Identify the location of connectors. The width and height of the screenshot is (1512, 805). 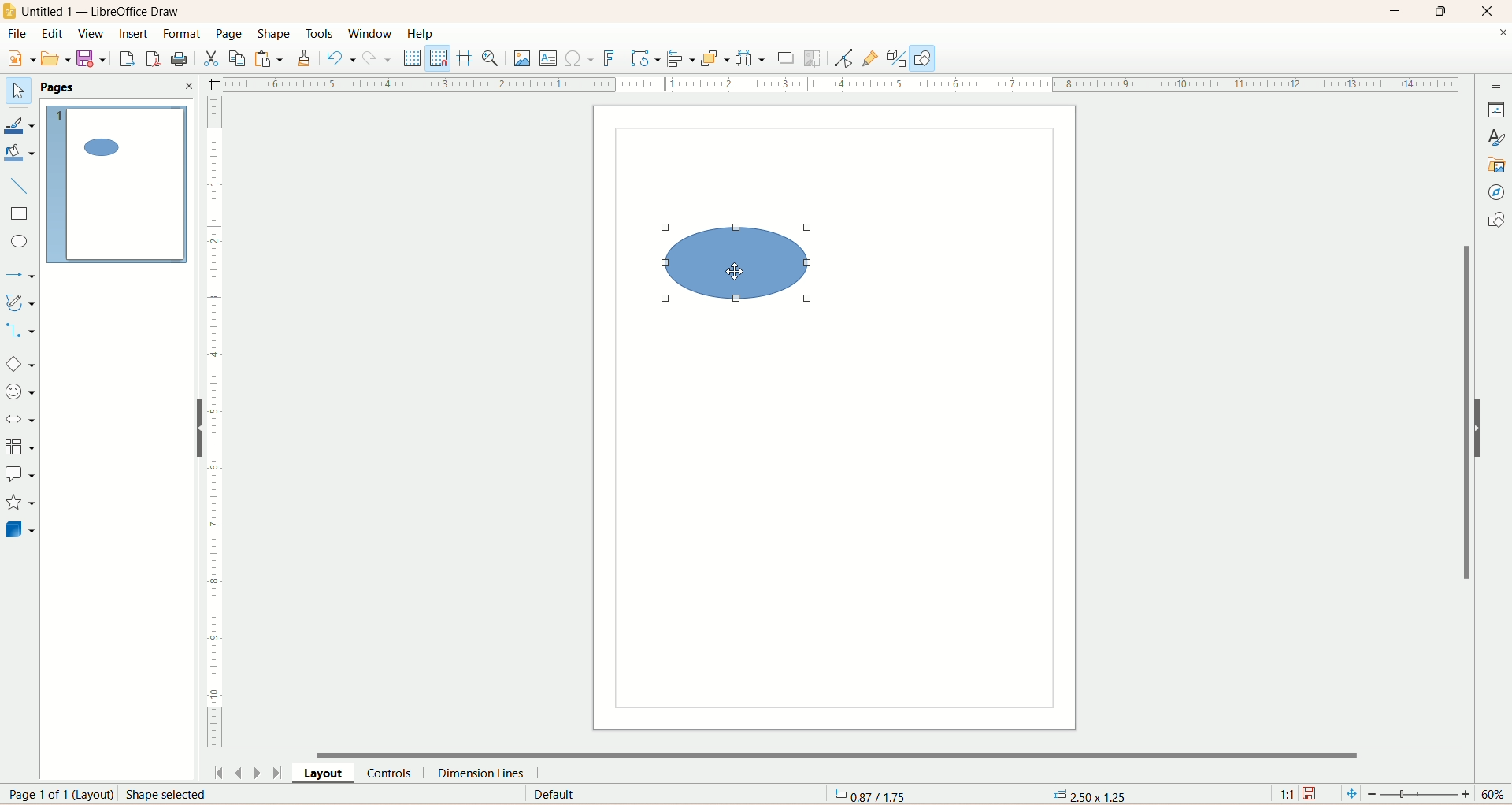
(21, 331).